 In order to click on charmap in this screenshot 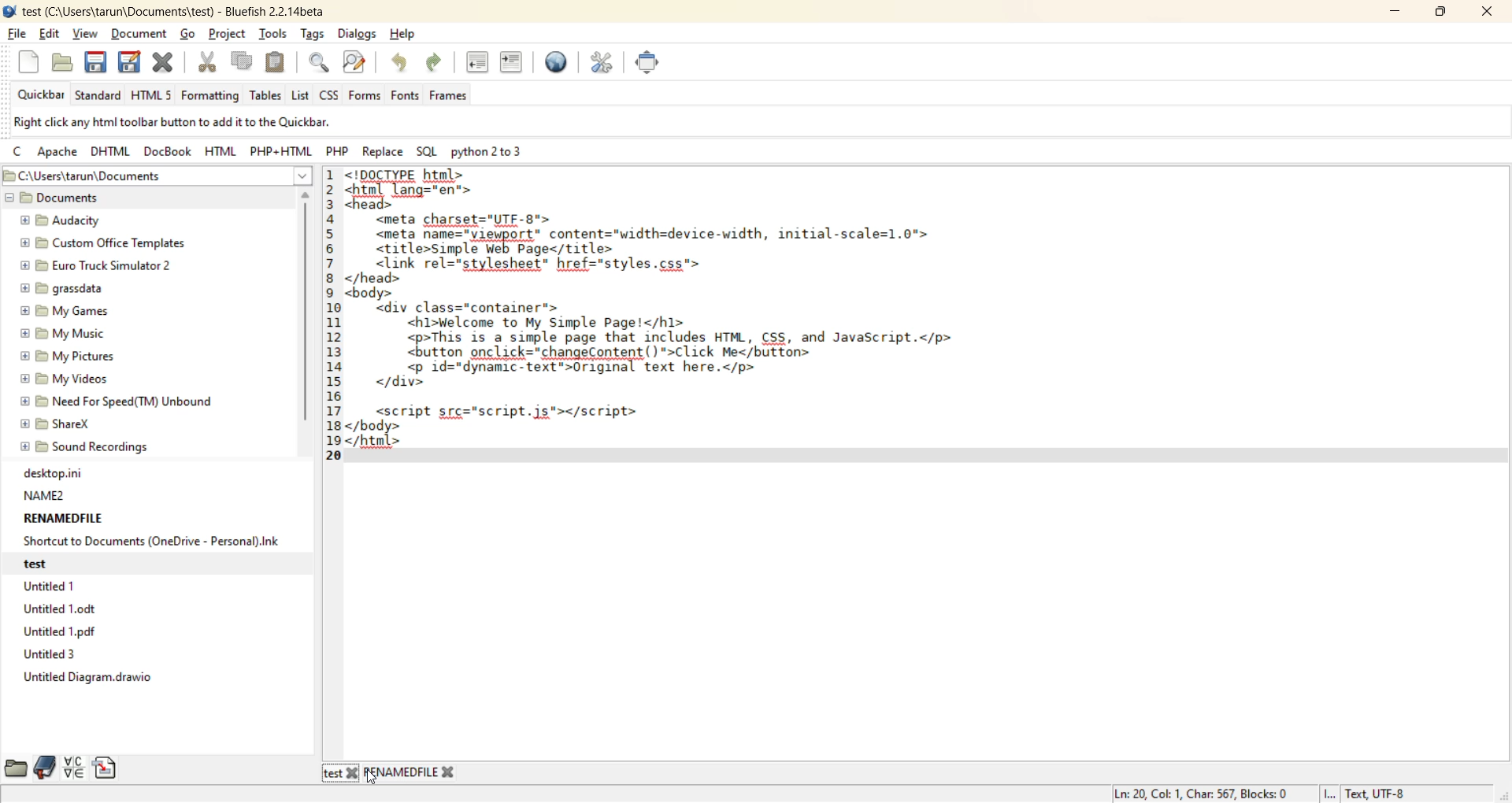, I will do `click(73, 767)`.